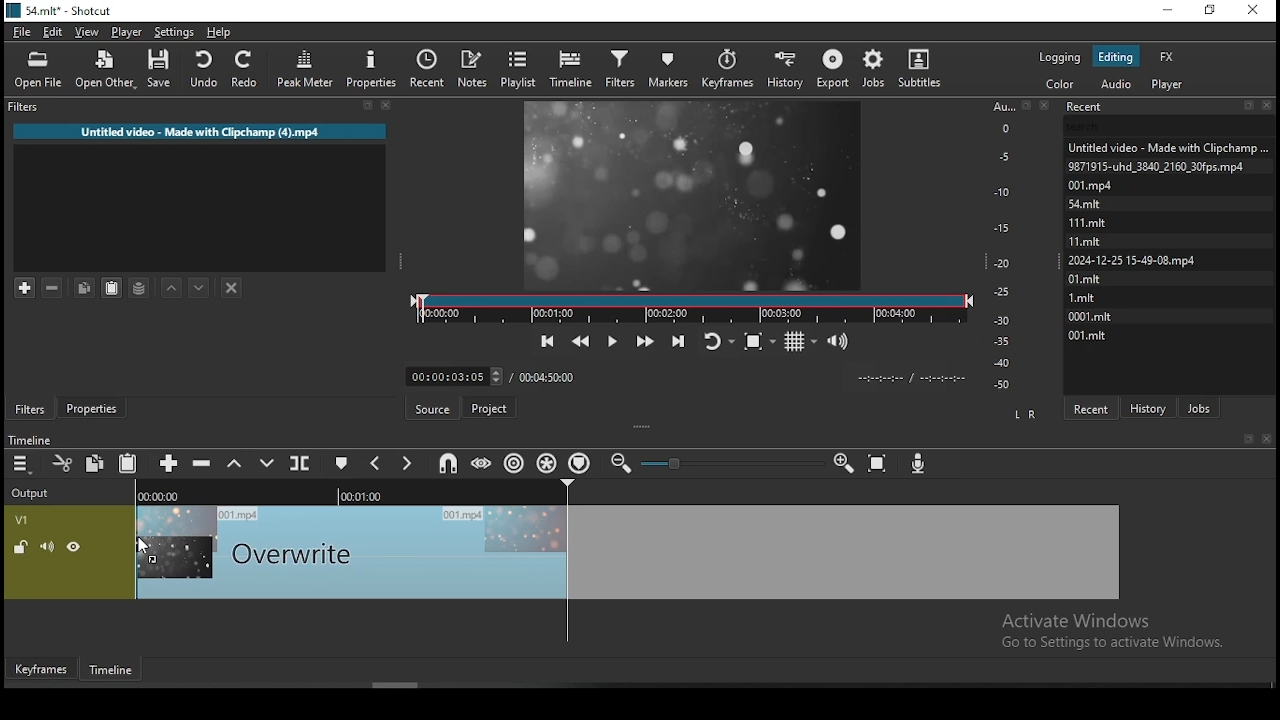 Image resolution: width=1280 pixels, height=720 pixels. Describe the element at coordinates (169, 462) in the screenshot. I see `append` at that location.